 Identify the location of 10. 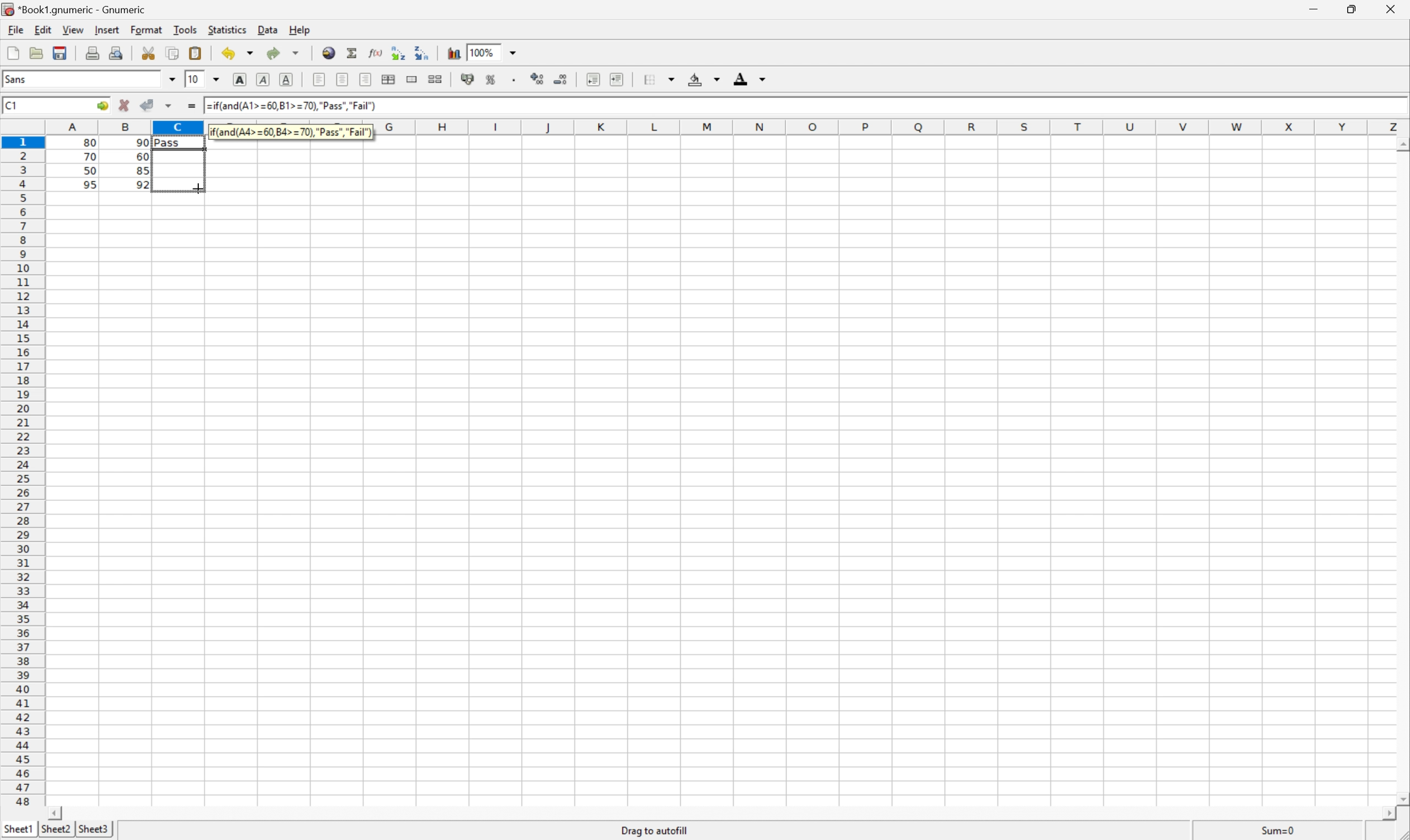
(193, 79).